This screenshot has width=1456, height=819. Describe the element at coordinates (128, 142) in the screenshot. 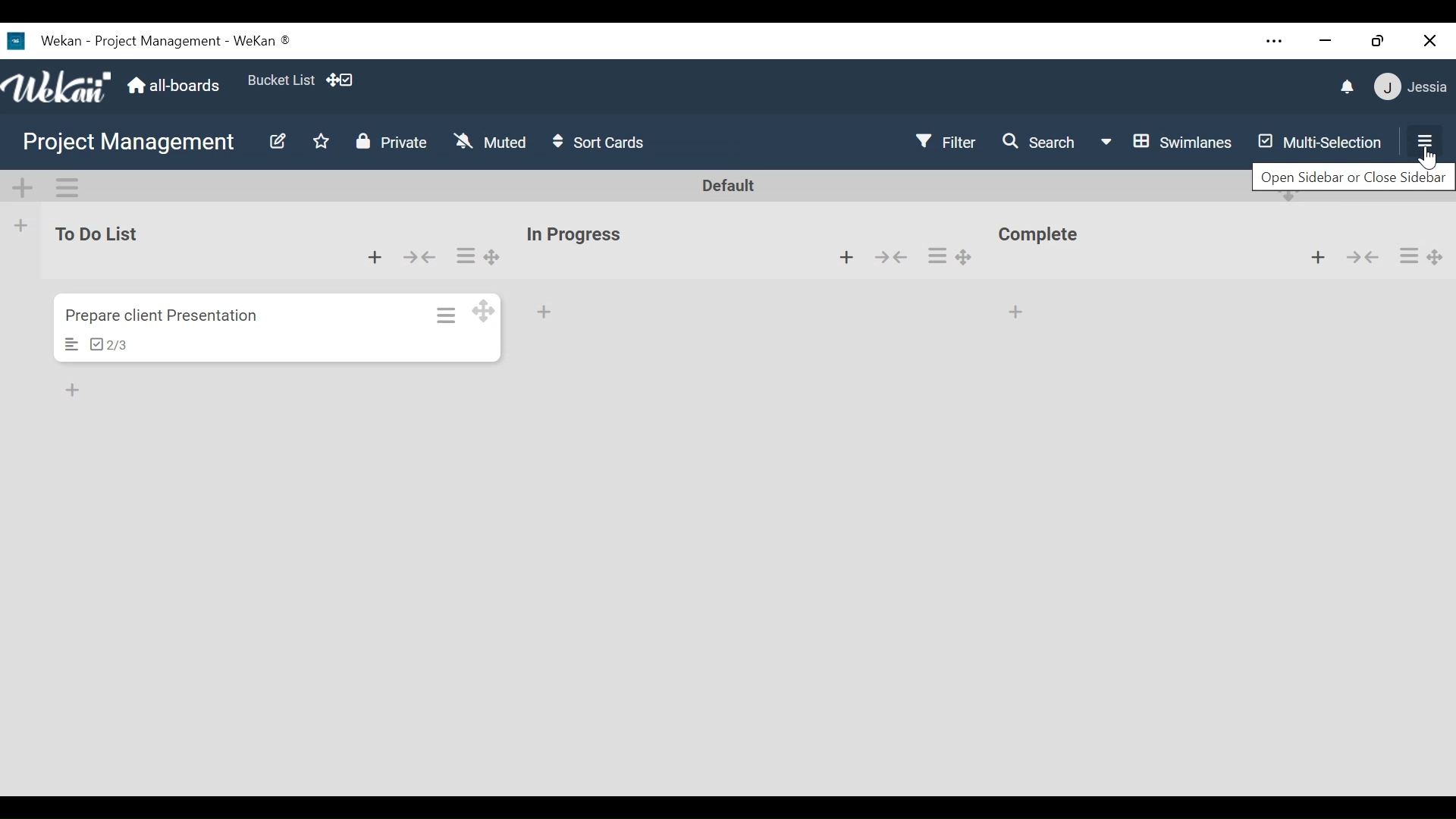

I see `Board Title` at that location.